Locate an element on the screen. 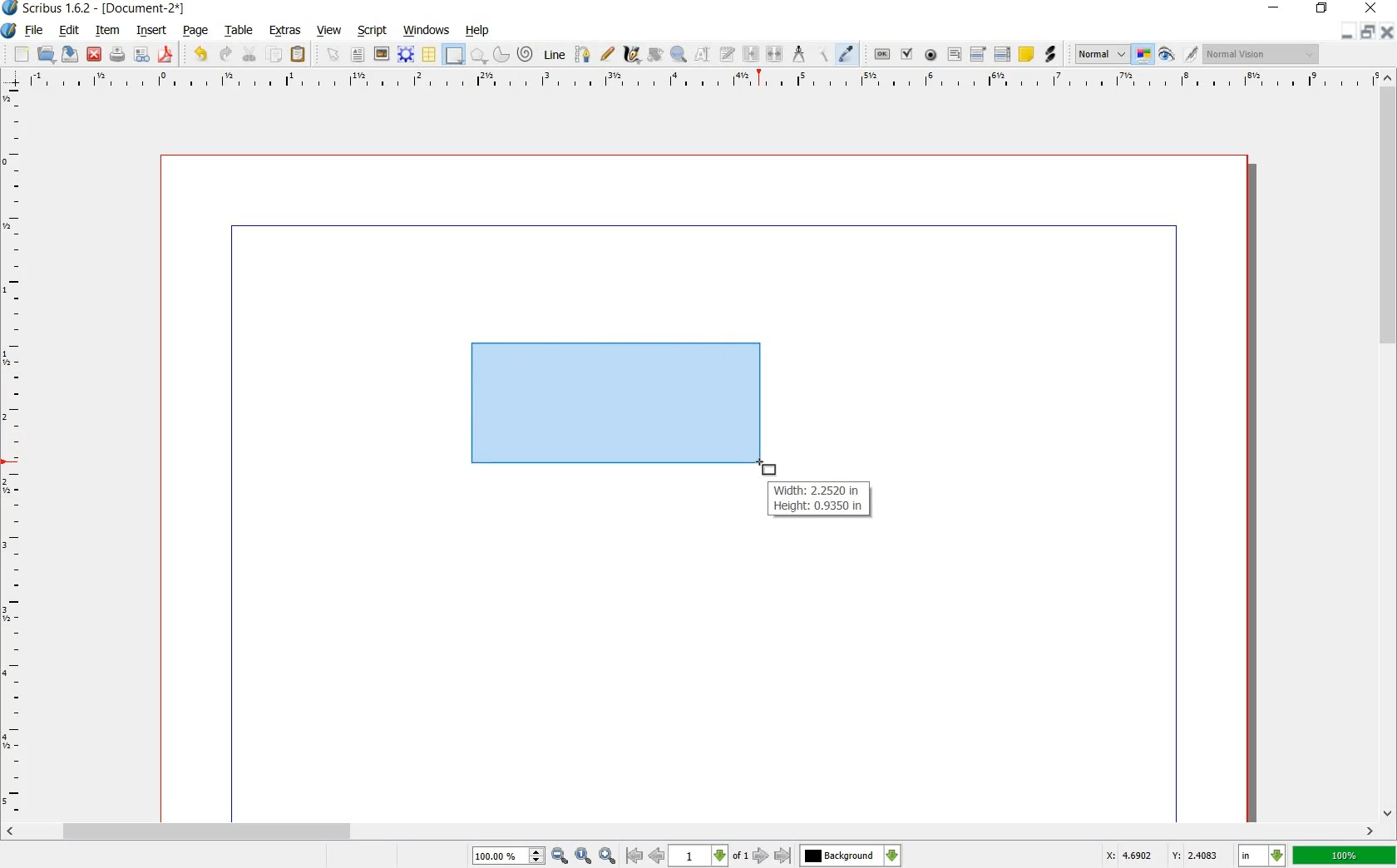  HELP is located at coordinates (477, 32).